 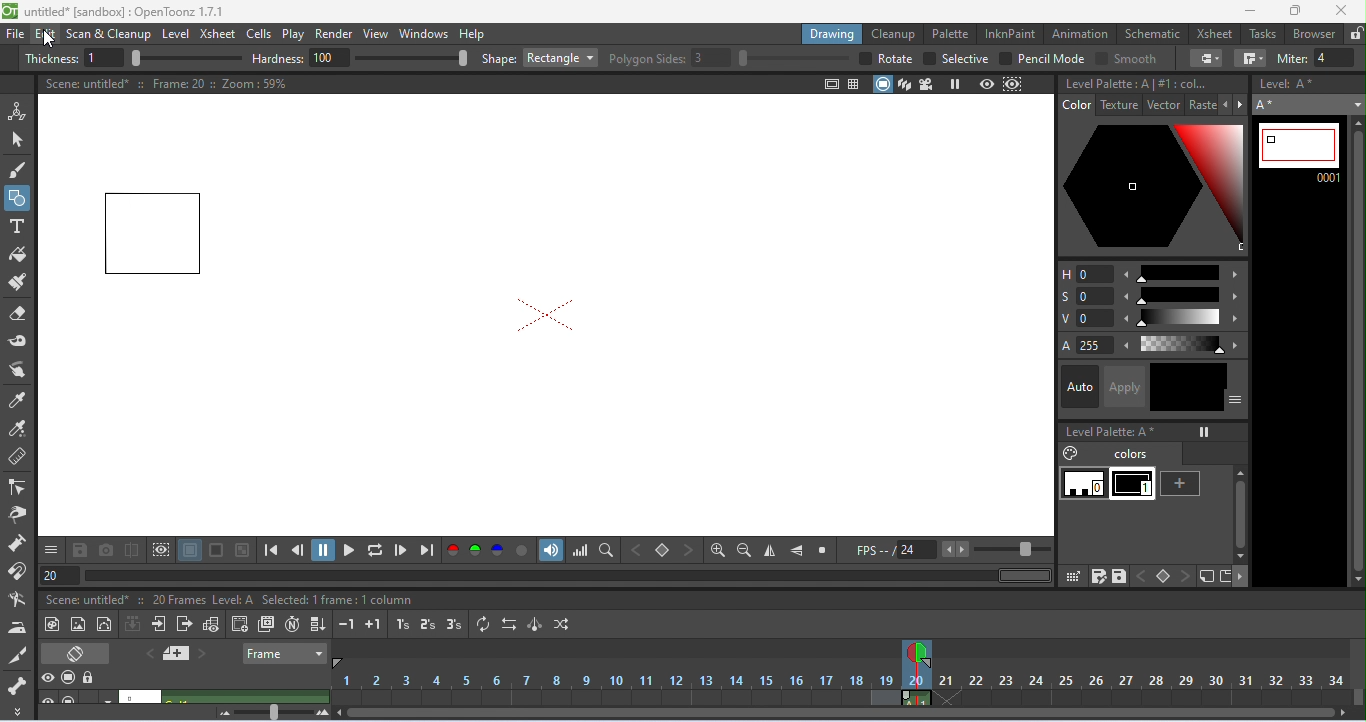 What do you see at coordinates (258, 33) in the screenshot?
I see `cells` at bounding box center [258, 33].